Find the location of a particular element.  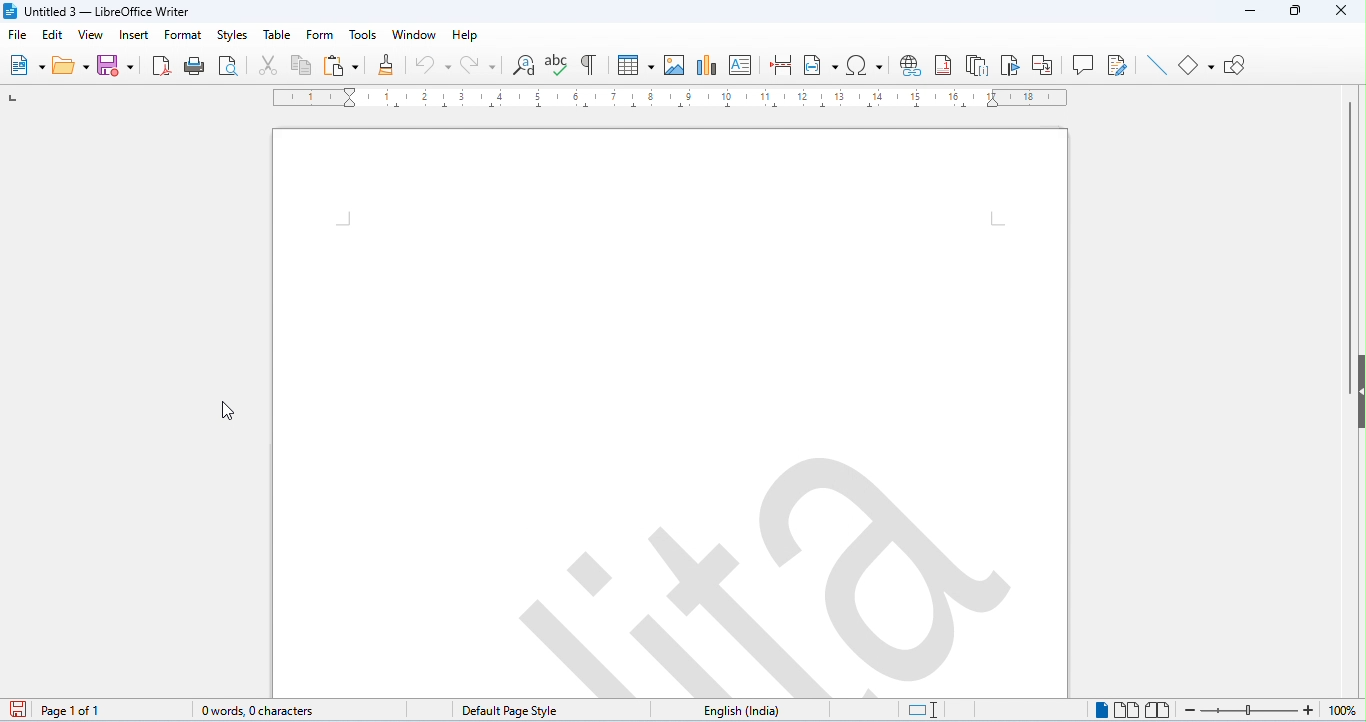

ruler is located at coordinates (670, 99).